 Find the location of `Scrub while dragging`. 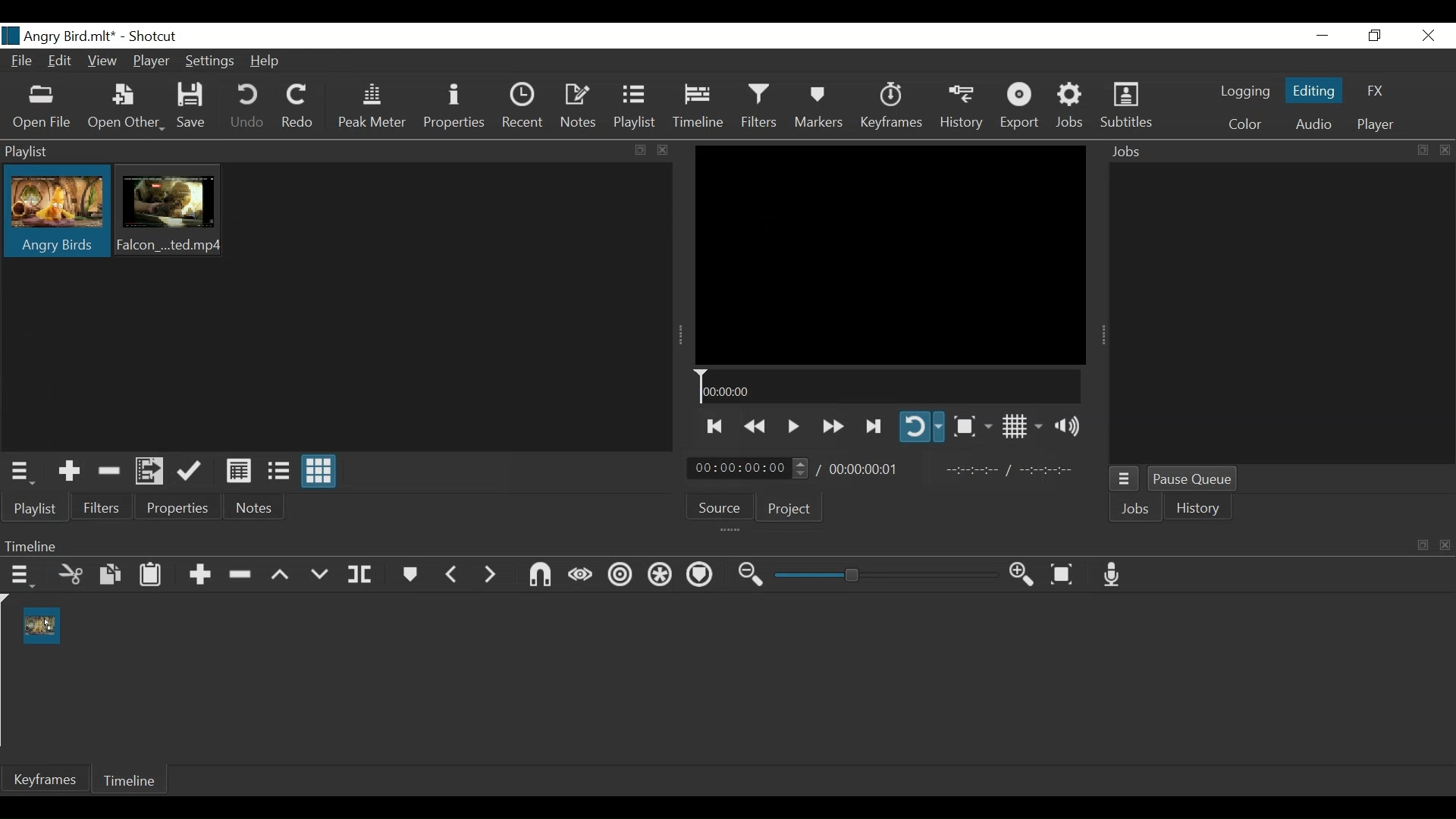

Scrub while dragging is located at coordinates (577, 574).